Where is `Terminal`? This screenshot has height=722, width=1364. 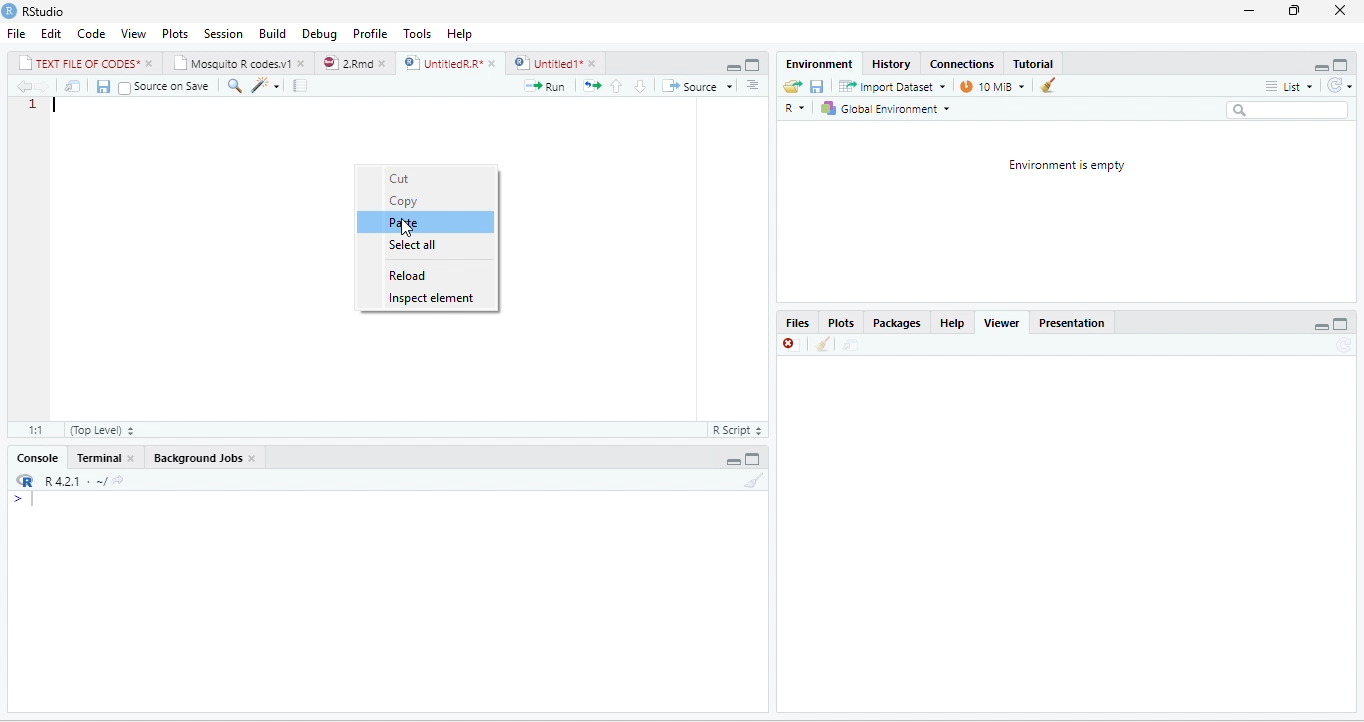 Terminal is located at coordinates (97, 459).